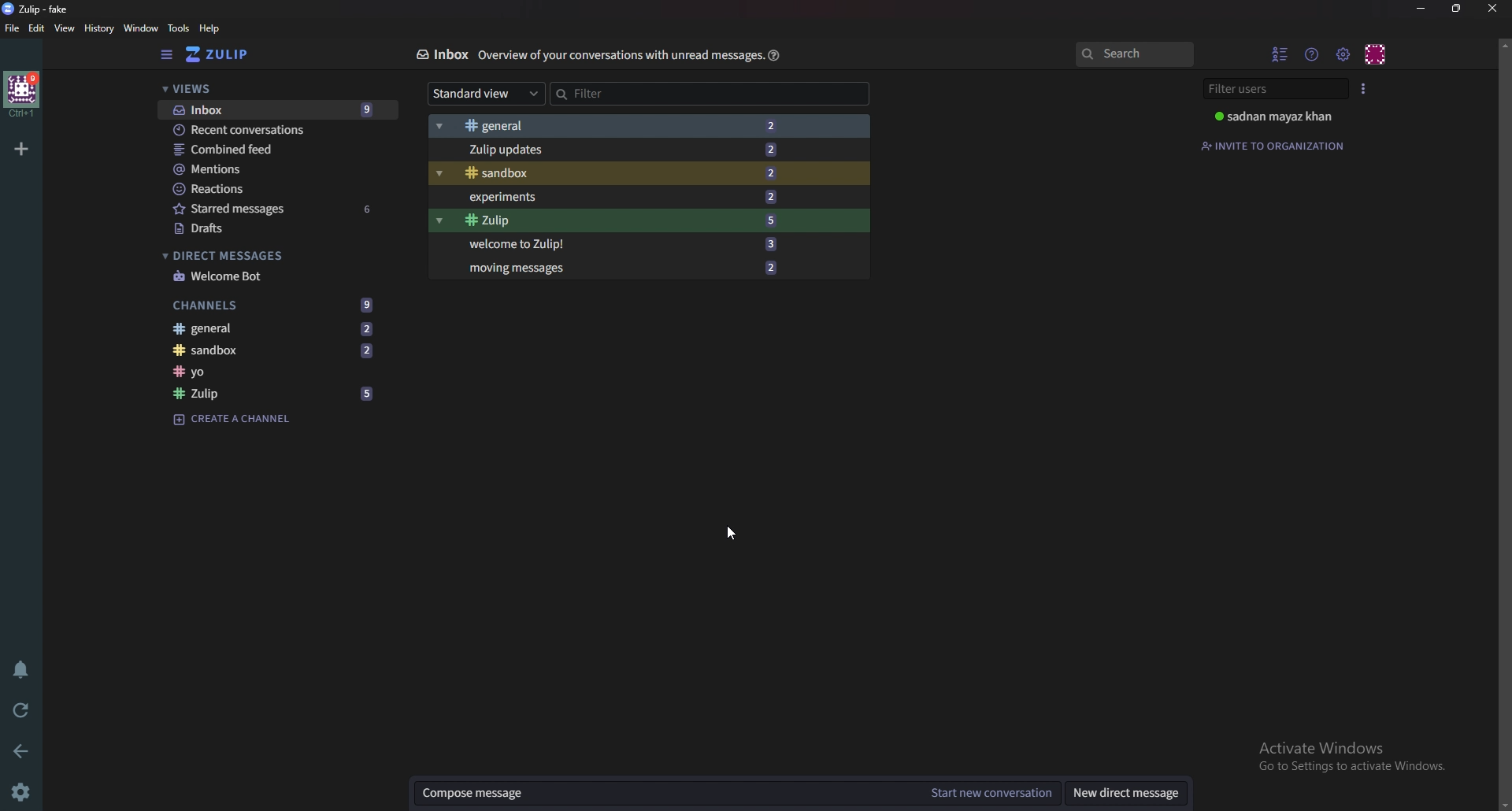  What do you see at coordinates (1275, 91) in the screenshot?
I see `Filter users` at bounding box center [1275, 91].